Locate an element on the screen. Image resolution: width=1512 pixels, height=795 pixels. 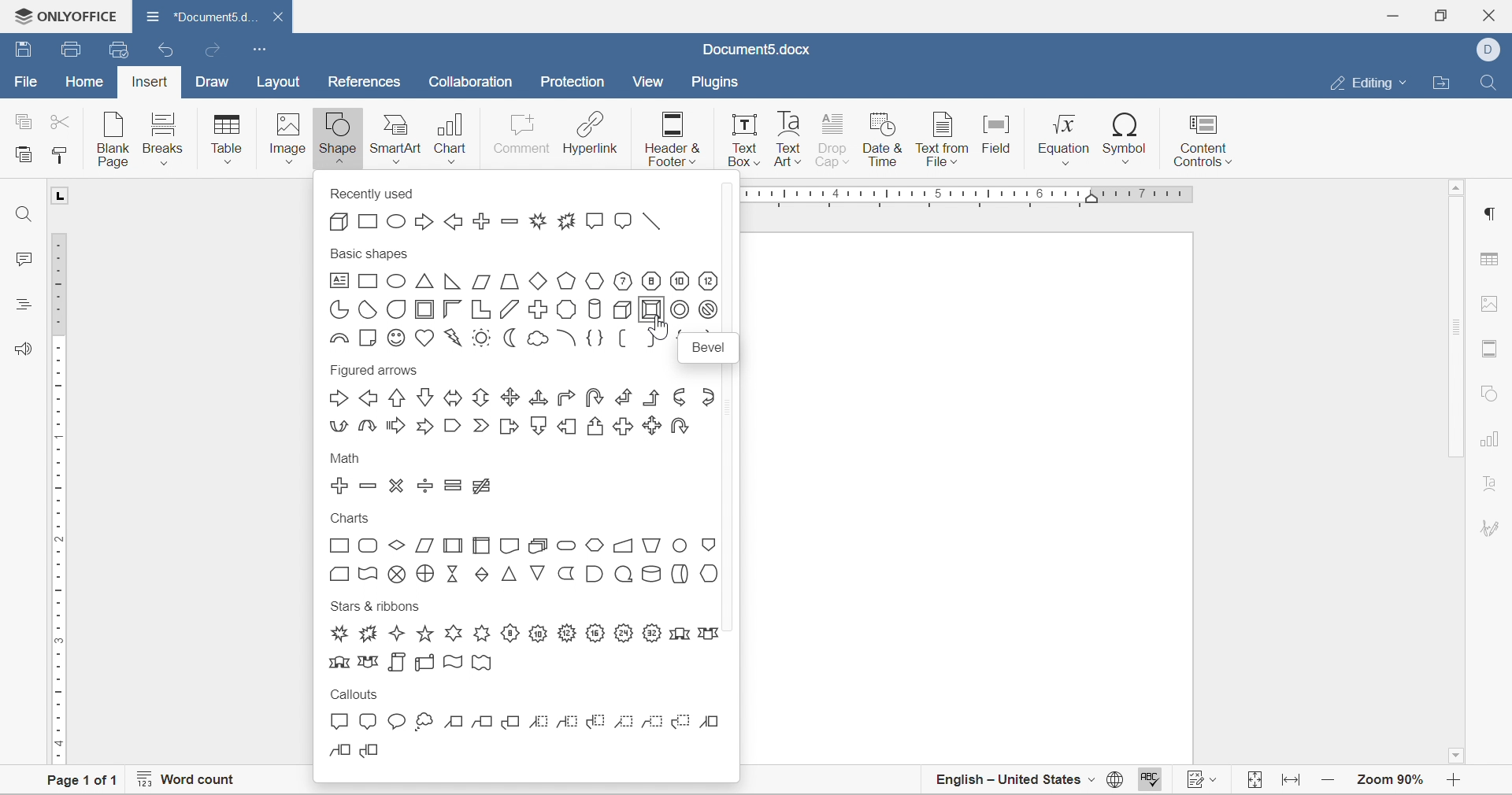
shape is located at coordinates (335, 133).